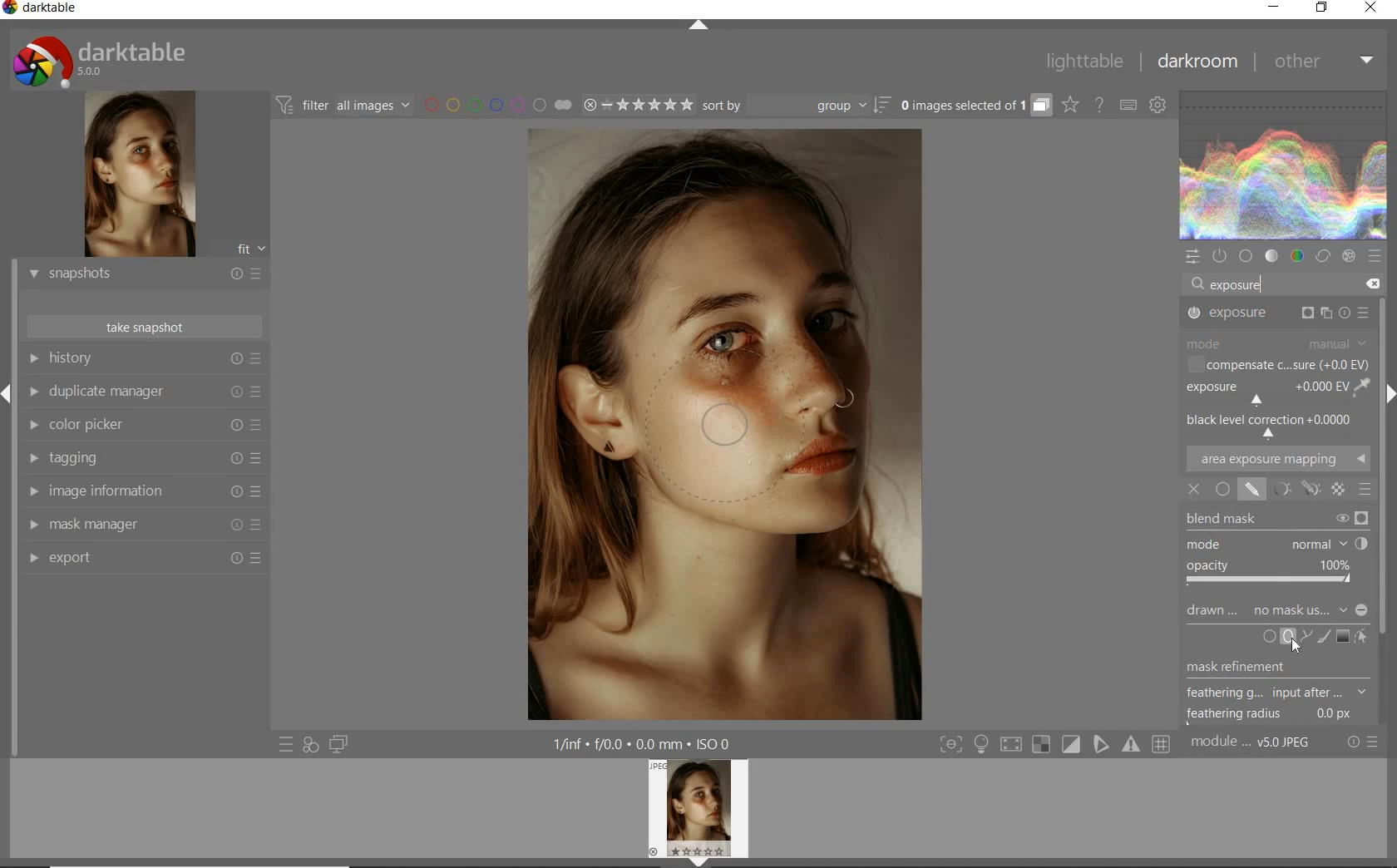 The image size is (1397, 868). I want to click on image preview, so click(701, 813).